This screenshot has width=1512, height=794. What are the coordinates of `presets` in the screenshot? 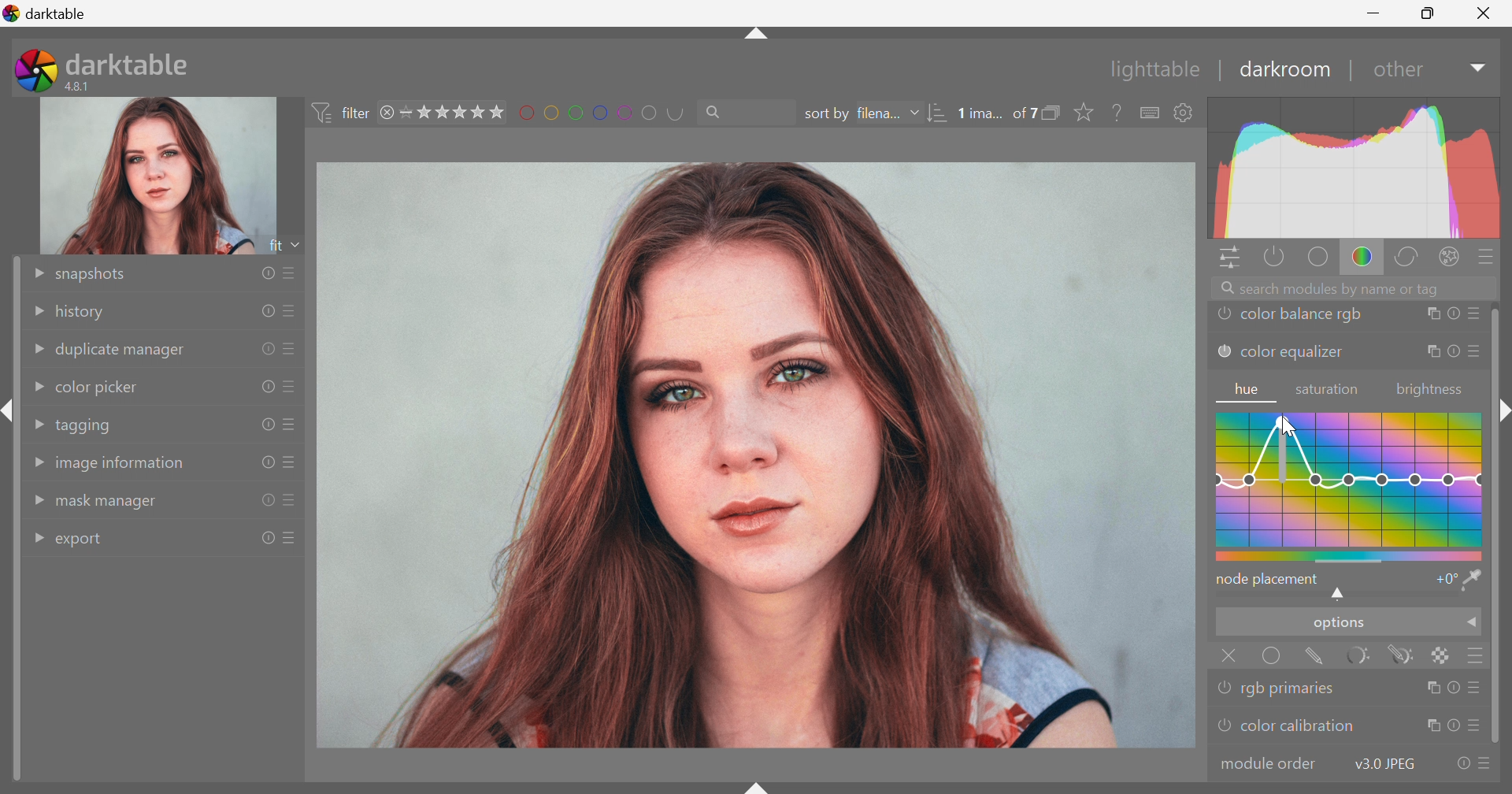 It's located at (1475, 314).